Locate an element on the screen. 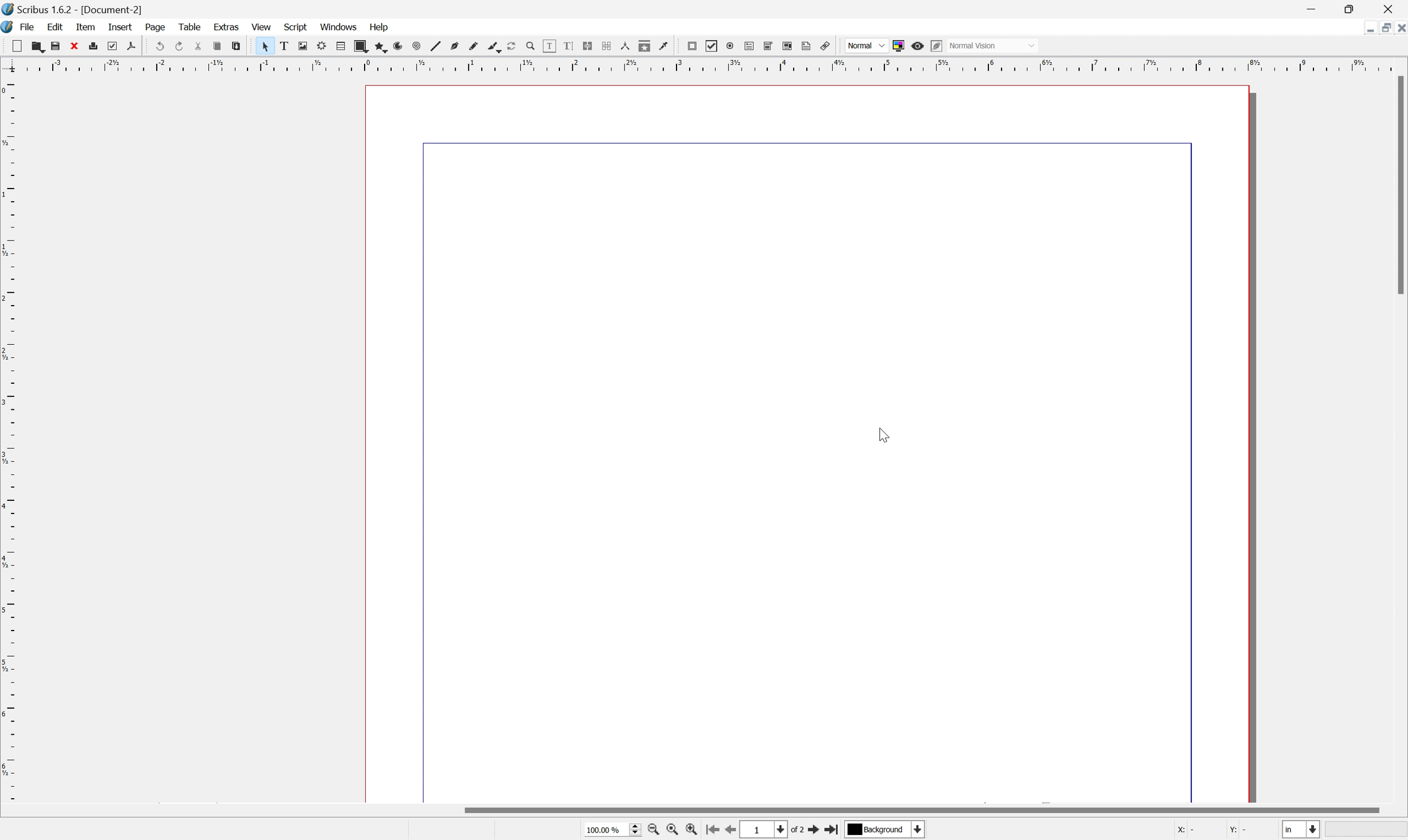 The height and width of the screenshot is (840, 1408). Extras is located at coordinates (226, 28).